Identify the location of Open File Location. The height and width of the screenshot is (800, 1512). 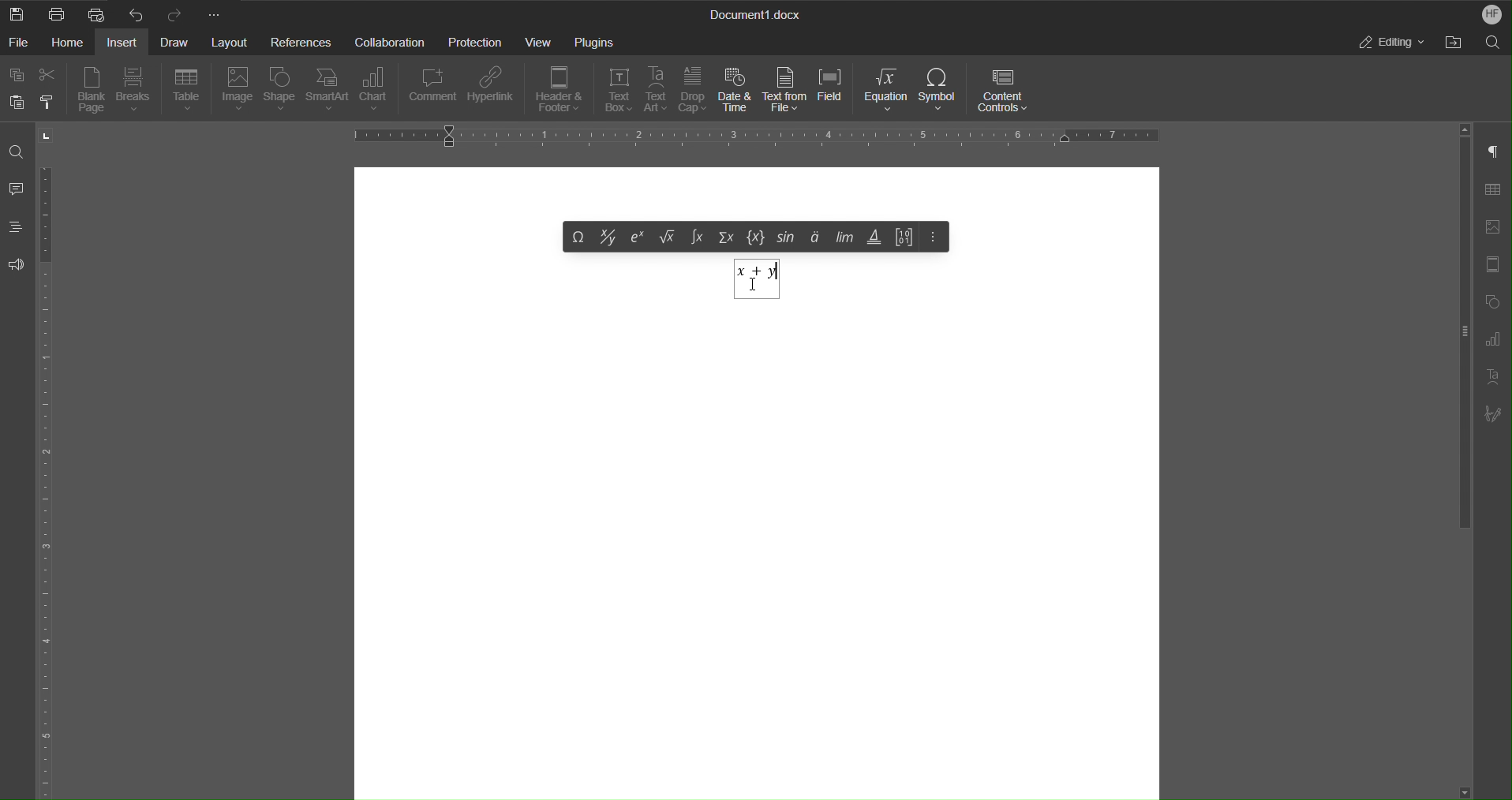
(1458, 43).